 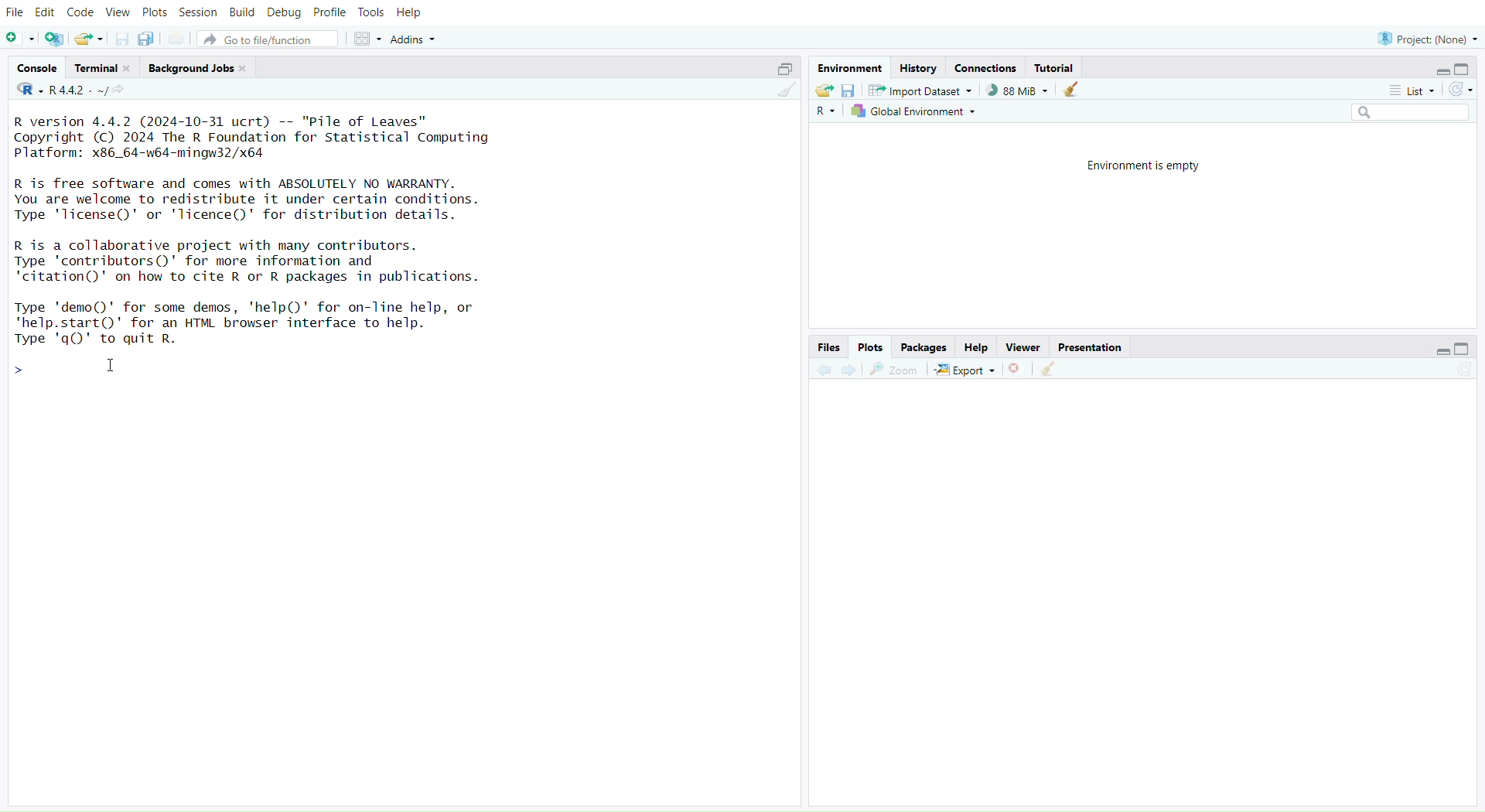 What do you see at coordinates (1047, 369) in the screenshot?
I see `clear all plot` at bounding box center [1047, 369].